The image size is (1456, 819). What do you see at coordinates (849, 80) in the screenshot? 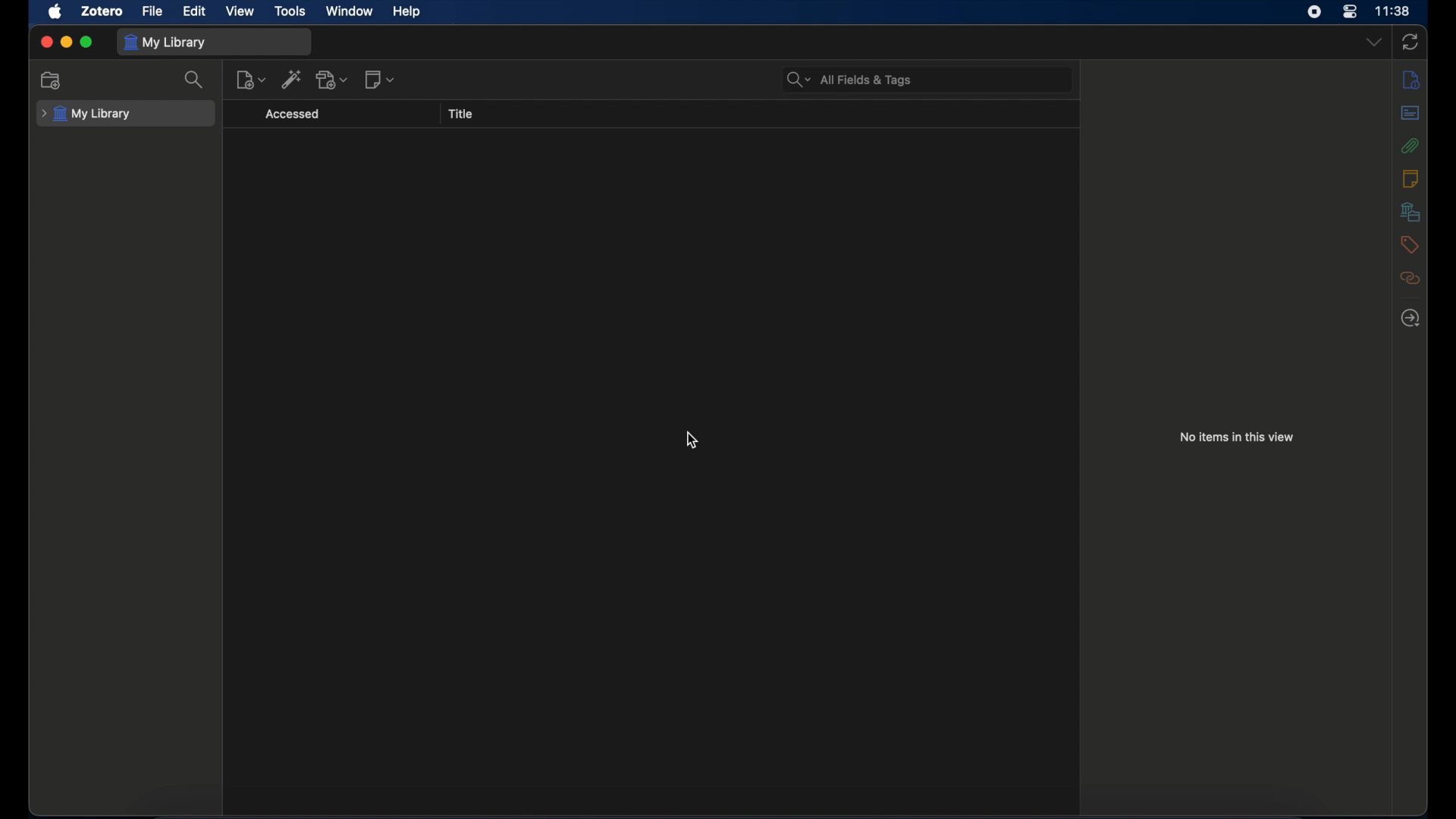
I see `search bar` at bounding box center [849, 80].